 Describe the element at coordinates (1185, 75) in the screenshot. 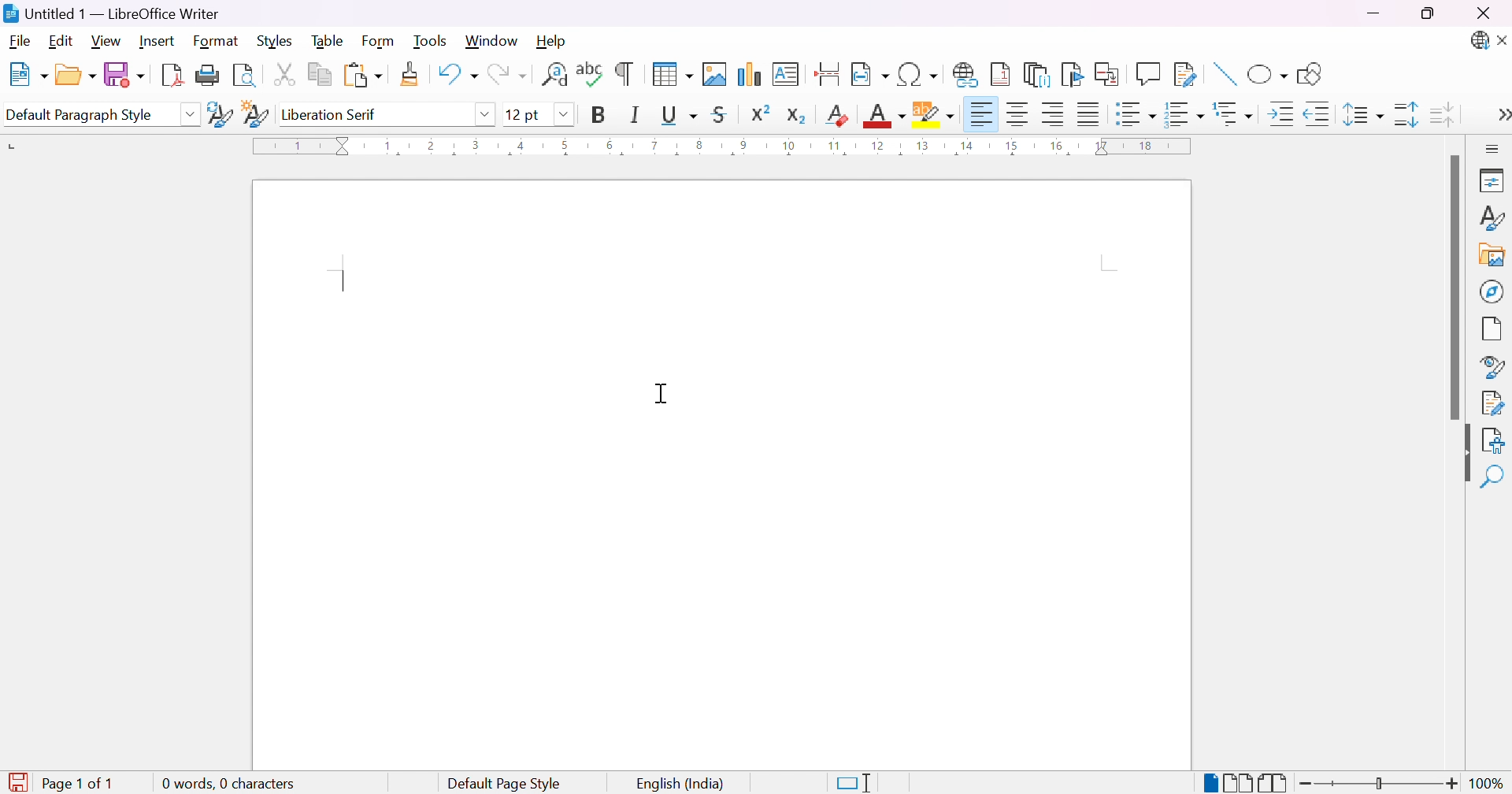

I see `Show track changes functions` at that location.